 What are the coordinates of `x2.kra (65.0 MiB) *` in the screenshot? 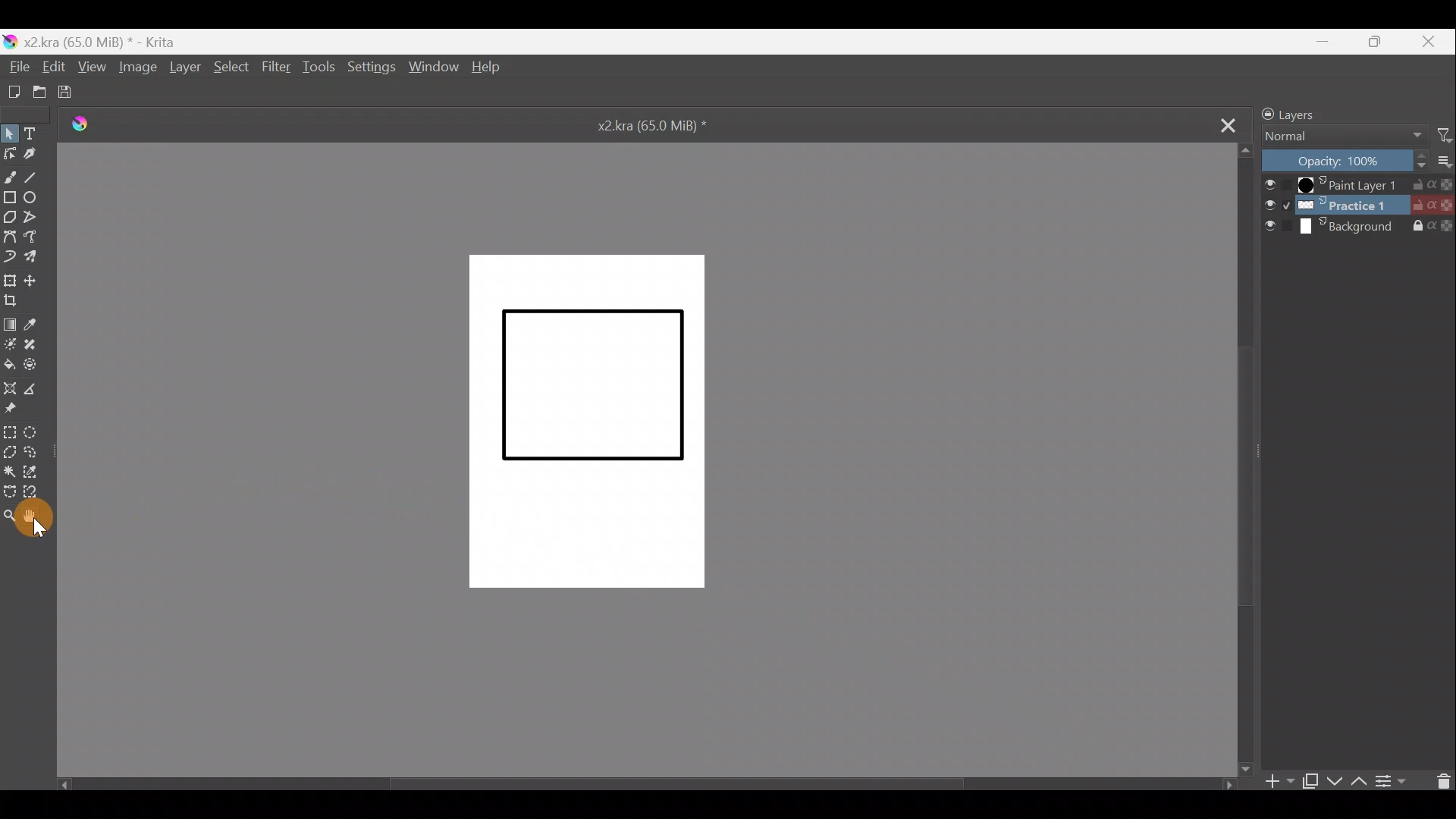 It's located at (664, 124).